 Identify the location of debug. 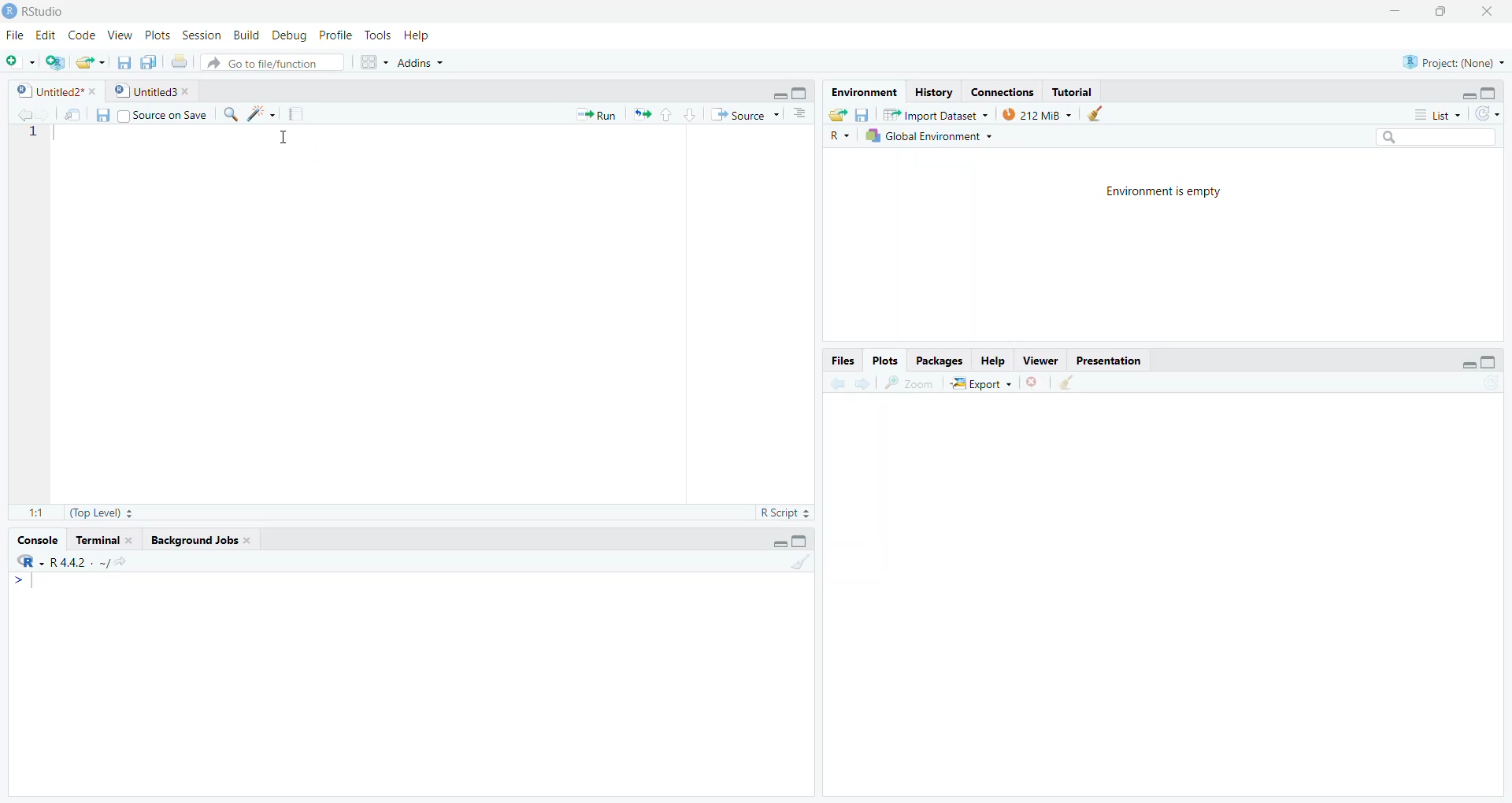
(288, 35).